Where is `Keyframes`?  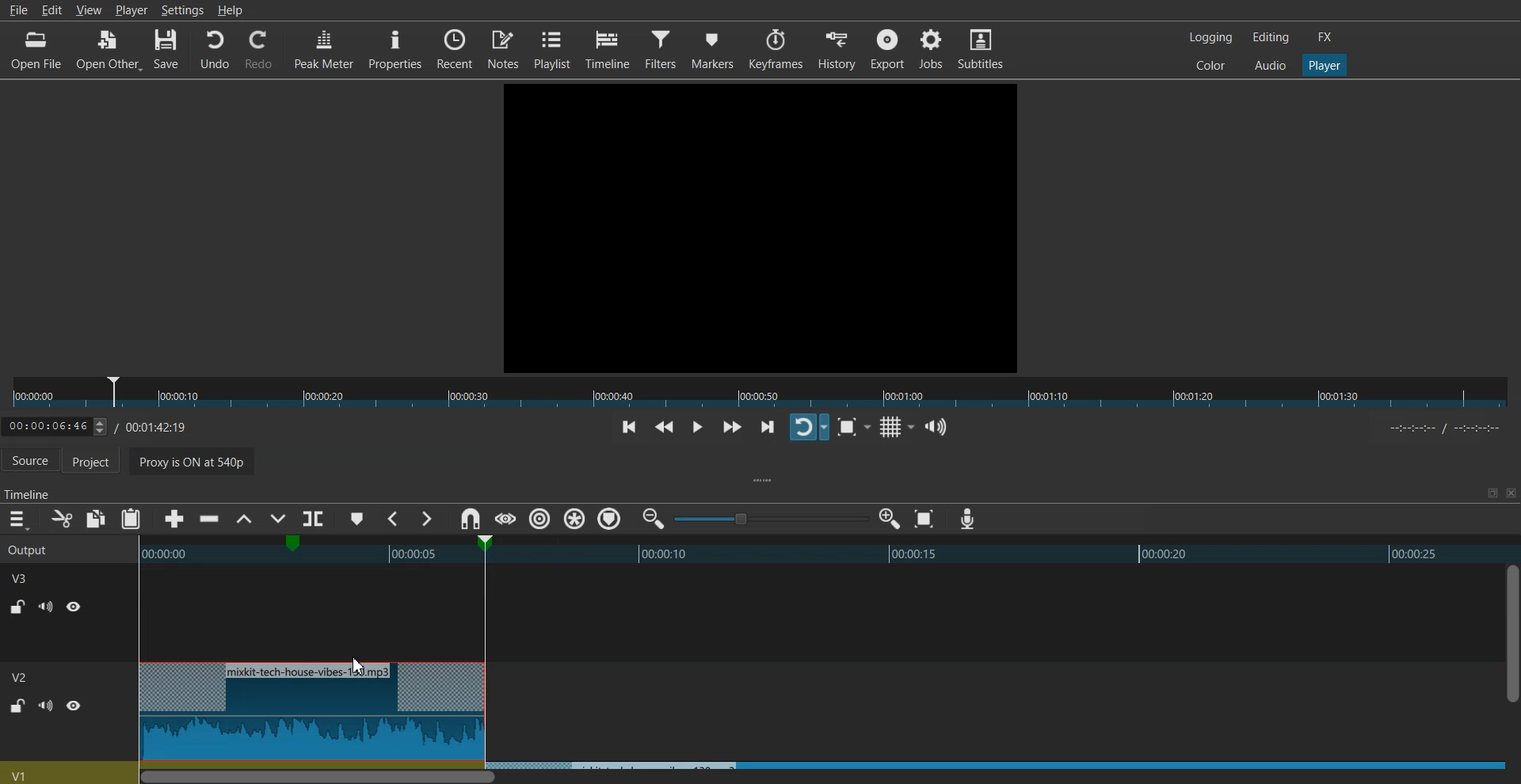 Keyframes is located at coordinates (776, 49).